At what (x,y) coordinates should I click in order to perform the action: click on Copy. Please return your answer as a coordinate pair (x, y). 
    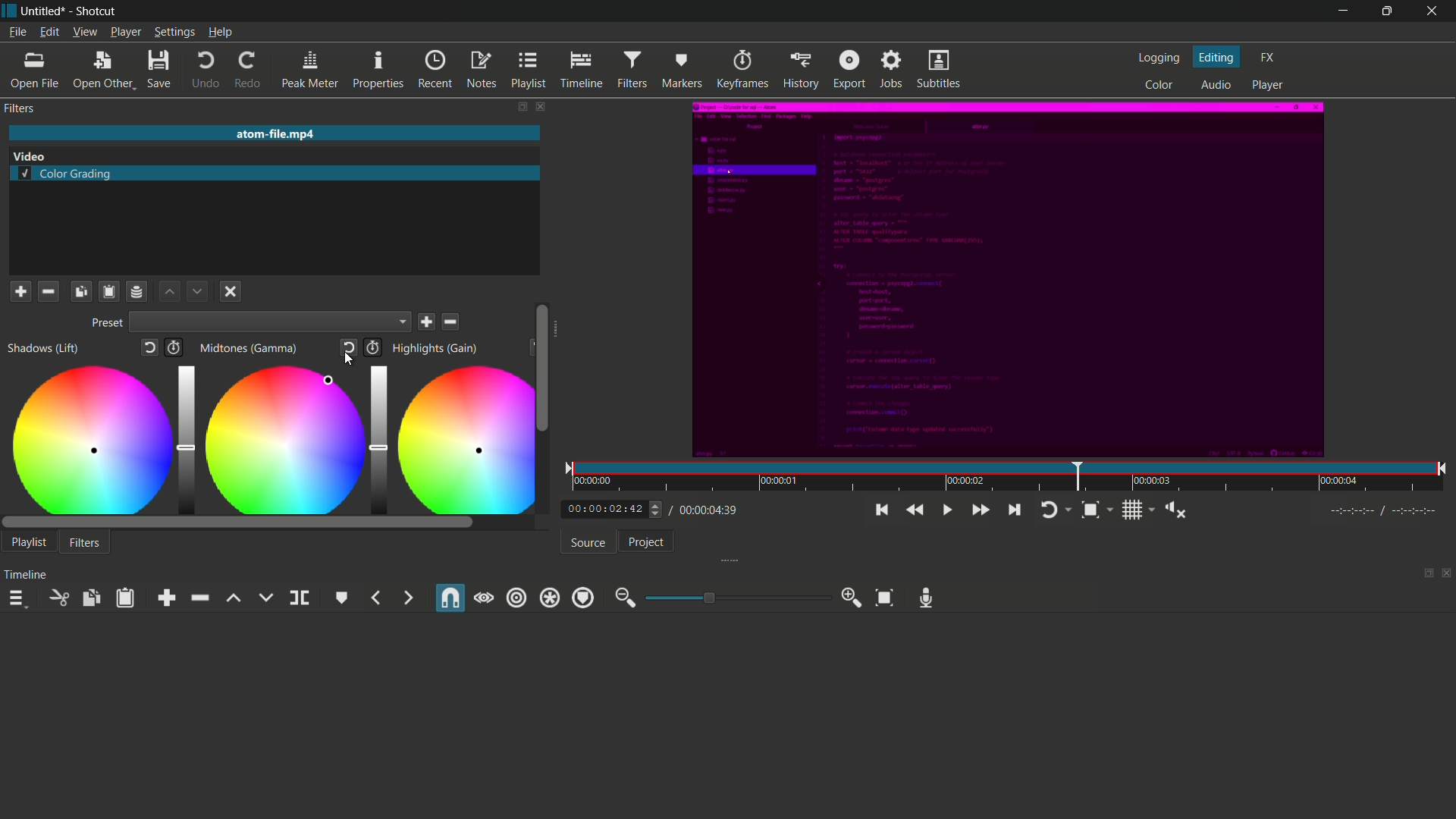
    Looking at the image, I should click on (81, 290).